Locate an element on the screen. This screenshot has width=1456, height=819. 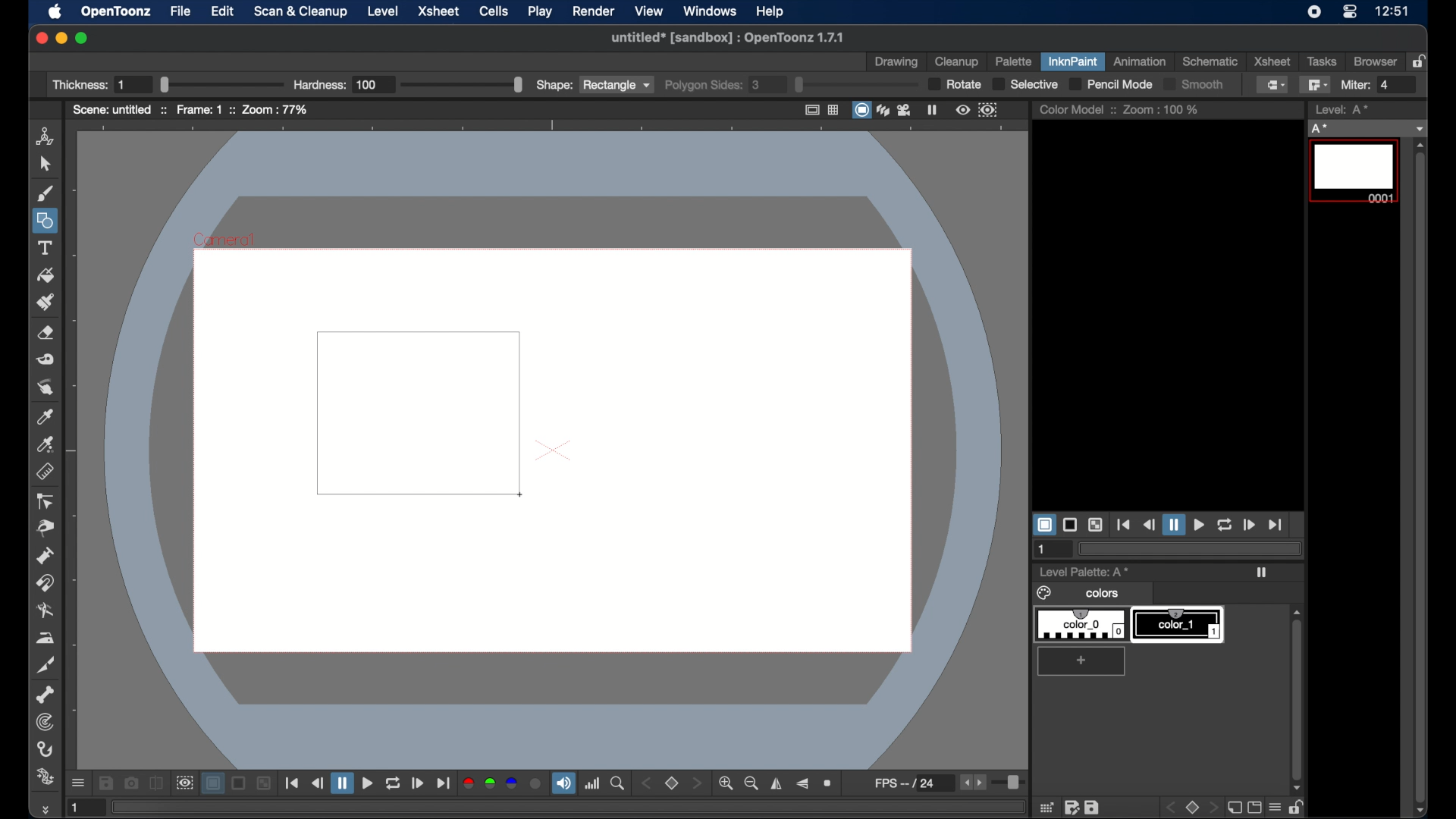
zoom in is located at coordinates (725, 783).